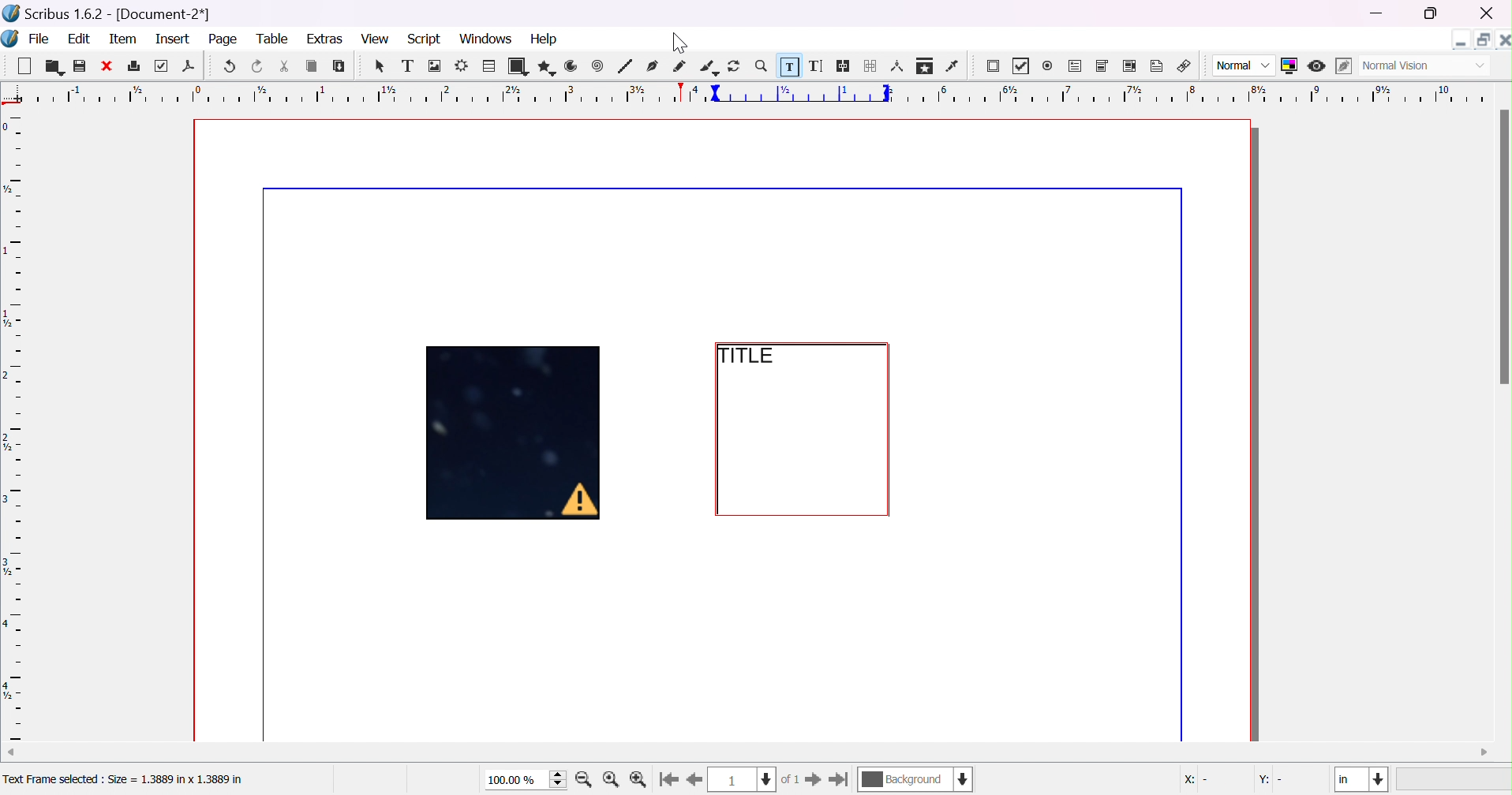 The image size is (1512, 795). Describe the element at coordinates (1076, 66) in the screenshot. I see `PDF text field` at that location.